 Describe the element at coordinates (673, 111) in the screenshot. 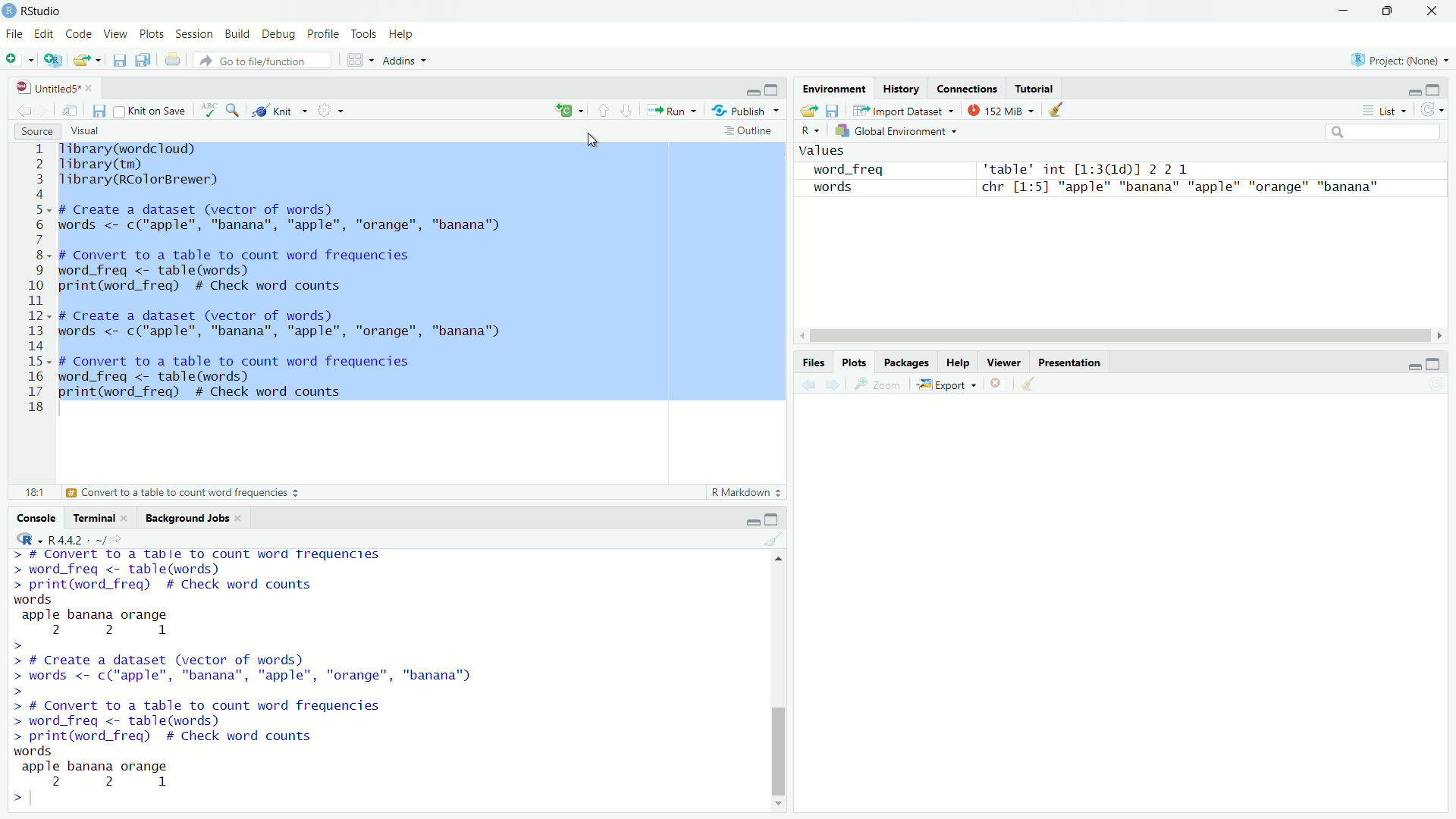

I see `Run` at that location.